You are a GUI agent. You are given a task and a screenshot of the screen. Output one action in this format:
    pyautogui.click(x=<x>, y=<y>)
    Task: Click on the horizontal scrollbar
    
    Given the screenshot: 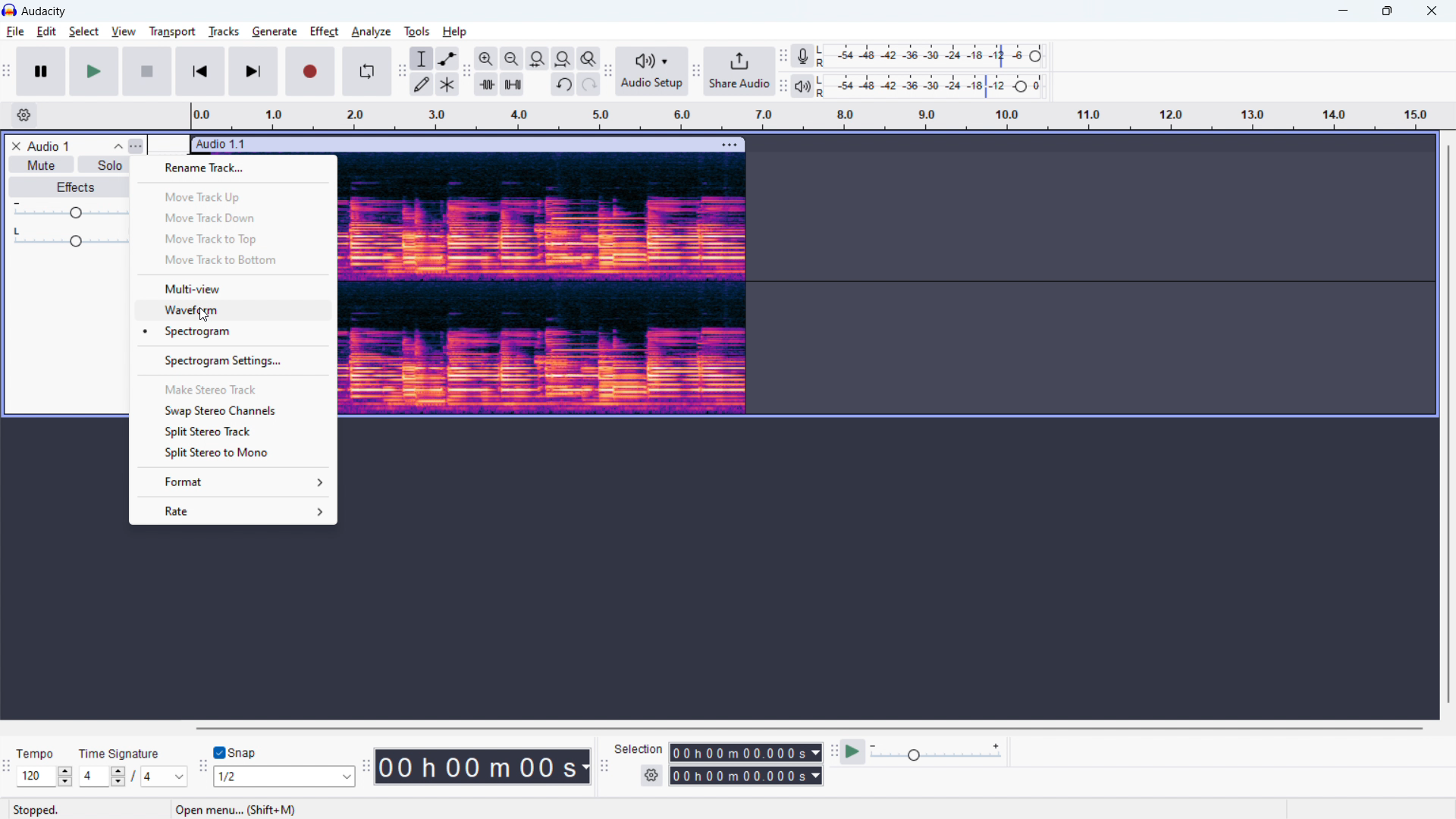 What is the action you would take?
    pyautogui.click(x=808, y=728)
    